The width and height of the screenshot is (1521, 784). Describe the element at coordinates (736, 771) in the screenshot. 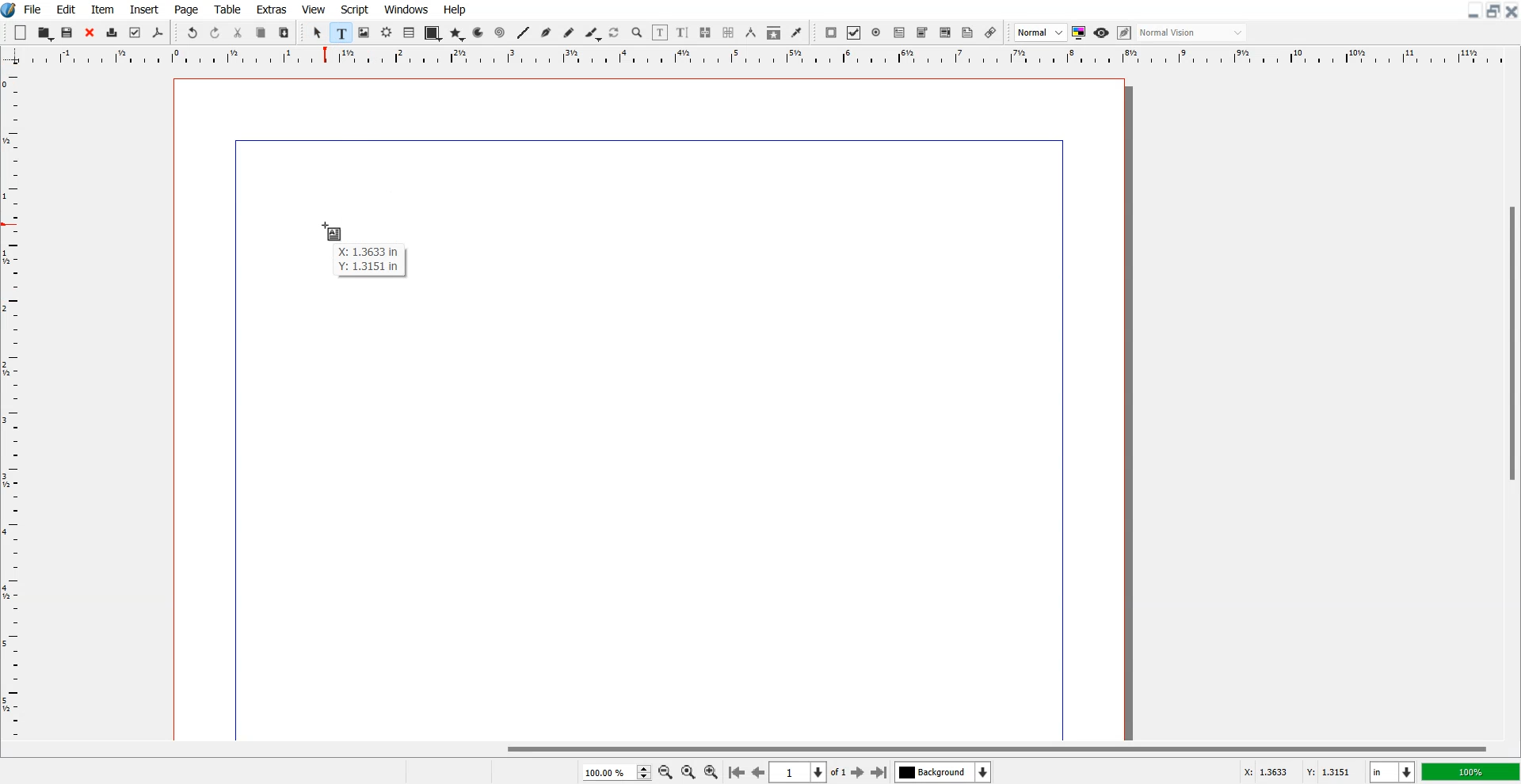

I see `Go to First Page` at that location.